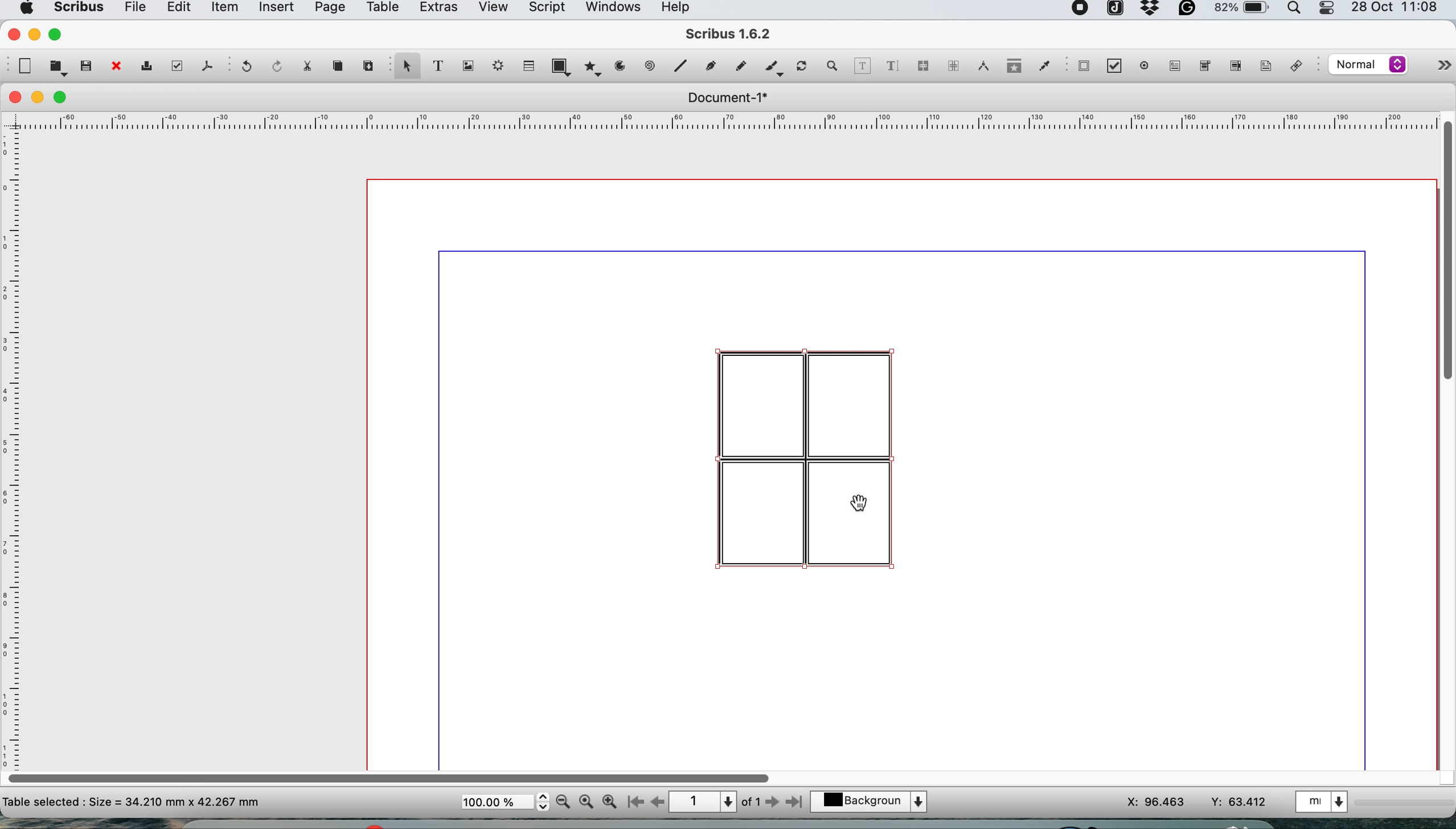 The width and height of the screenshot is (1456, 829). Describe the element at coordinates (177, 9) in the screenshot. I see `edit` at that location.